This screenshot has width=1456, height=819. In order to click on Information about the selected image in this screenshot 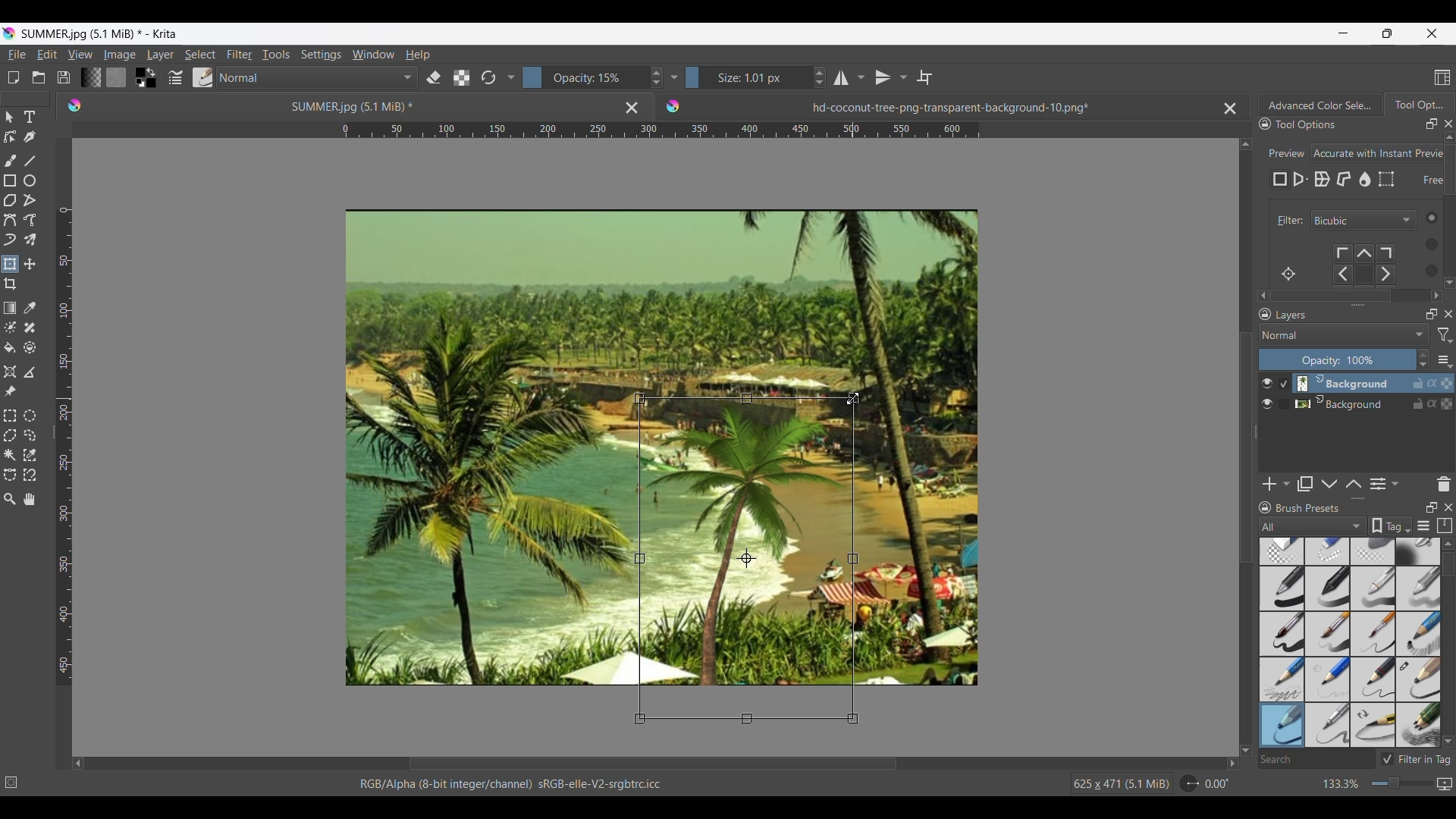, I will do `click(1121, 783)`.